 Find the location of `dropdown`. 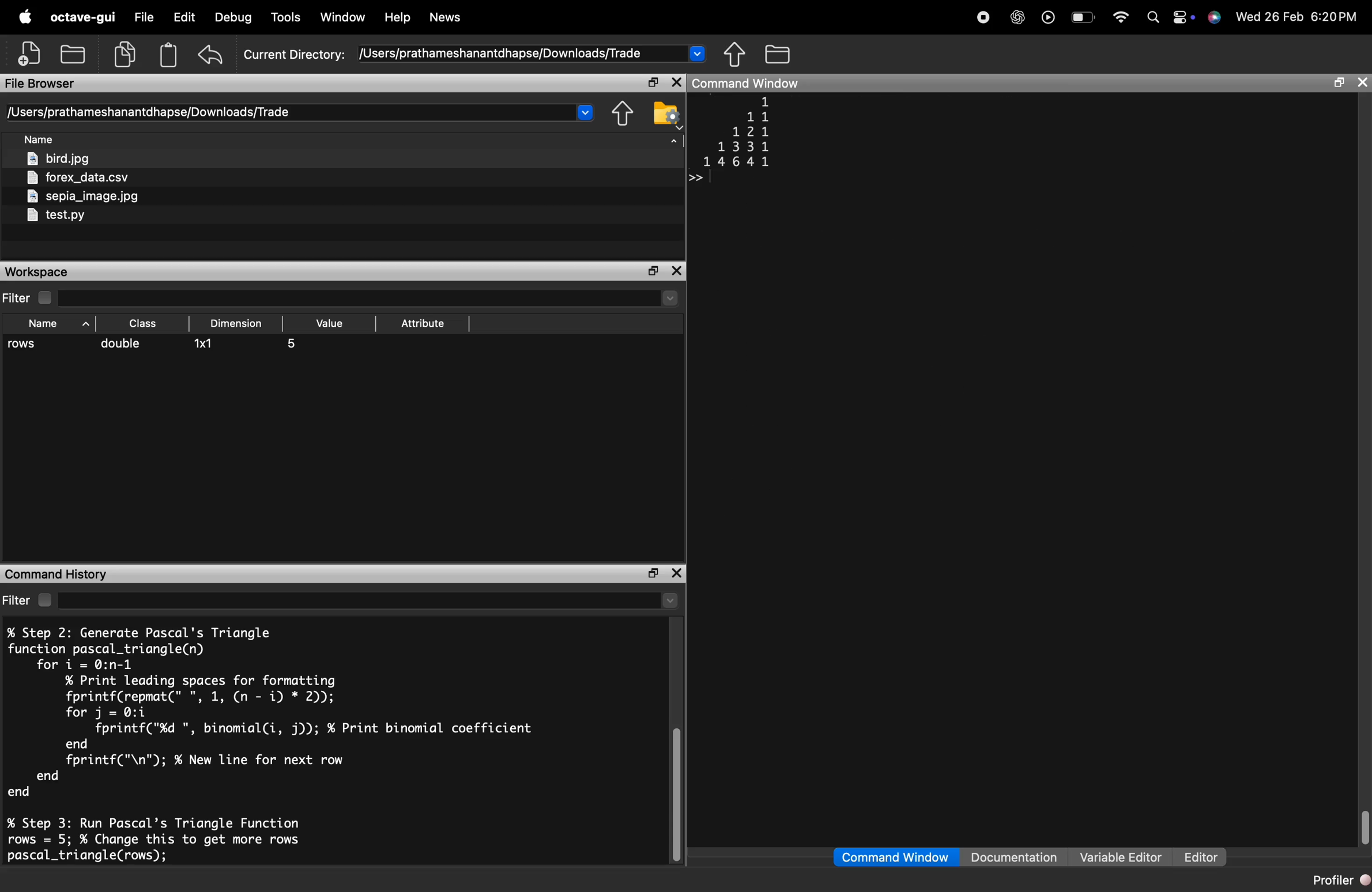

dropdown is located at coordinates (670, 298).